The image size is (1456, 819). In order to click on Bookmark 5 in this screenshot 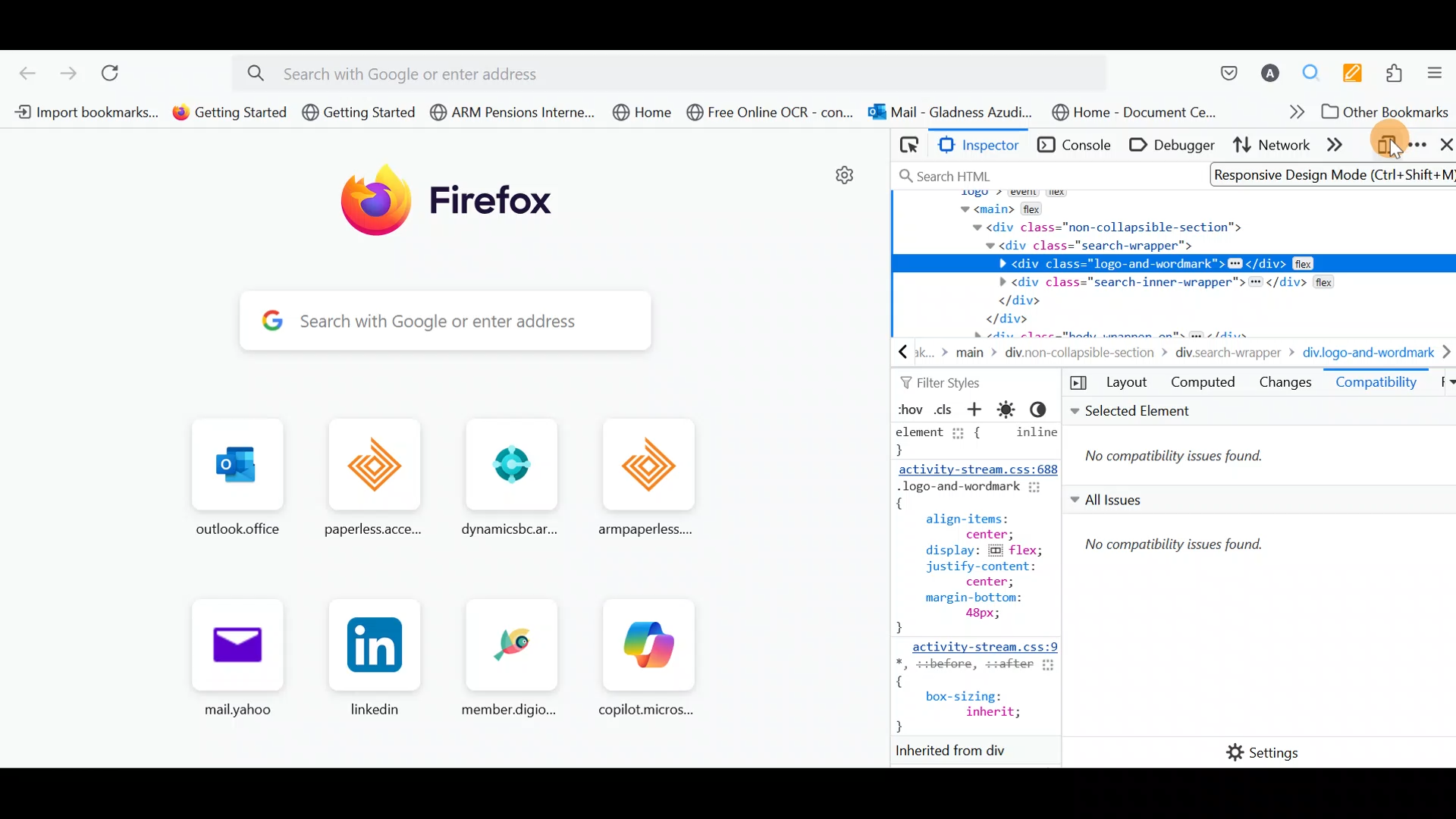, I will do `click(643, 115)`.